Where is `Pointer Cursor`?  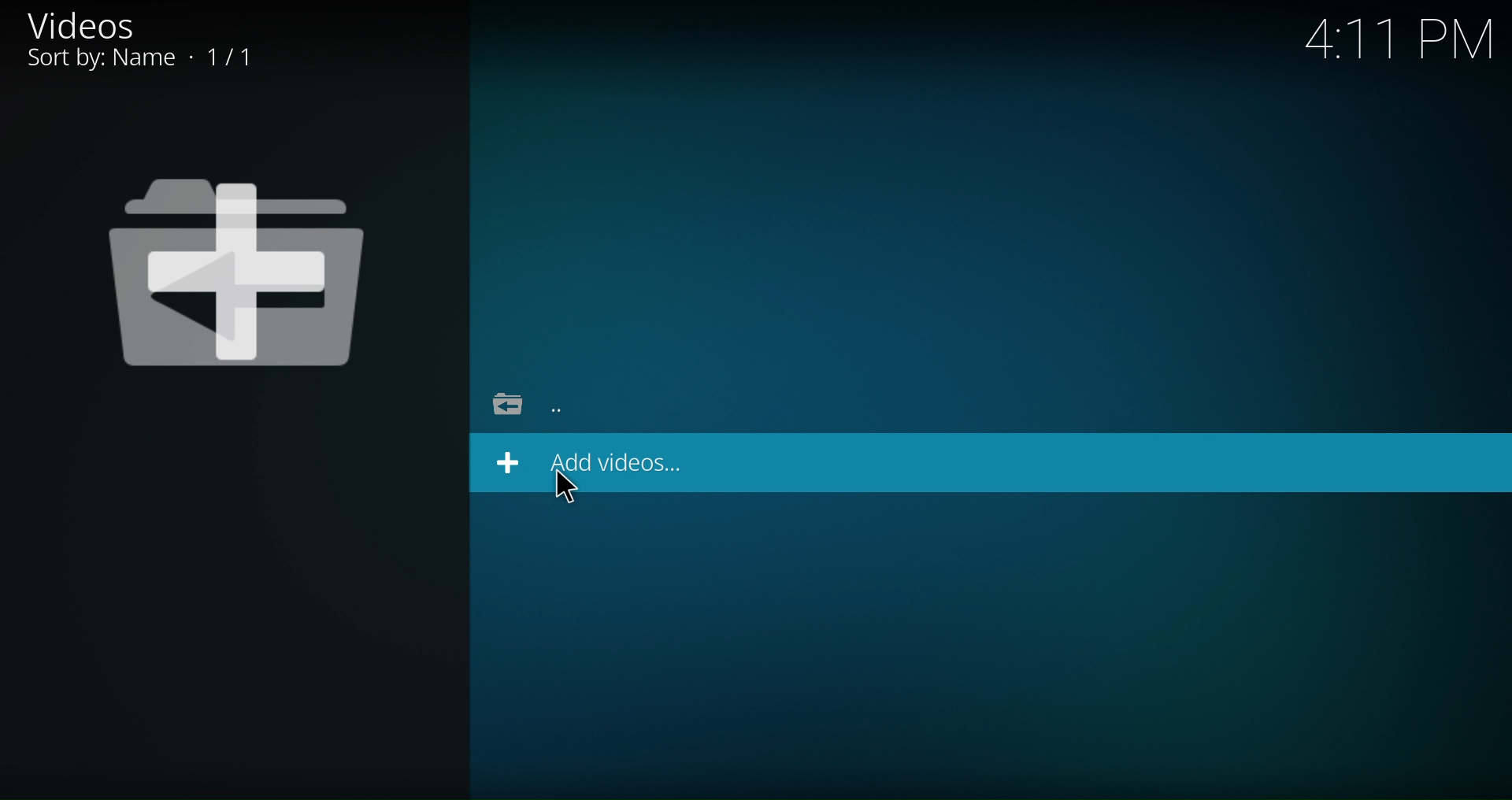
Pointer Cursor is located at coordinates (561, 492).